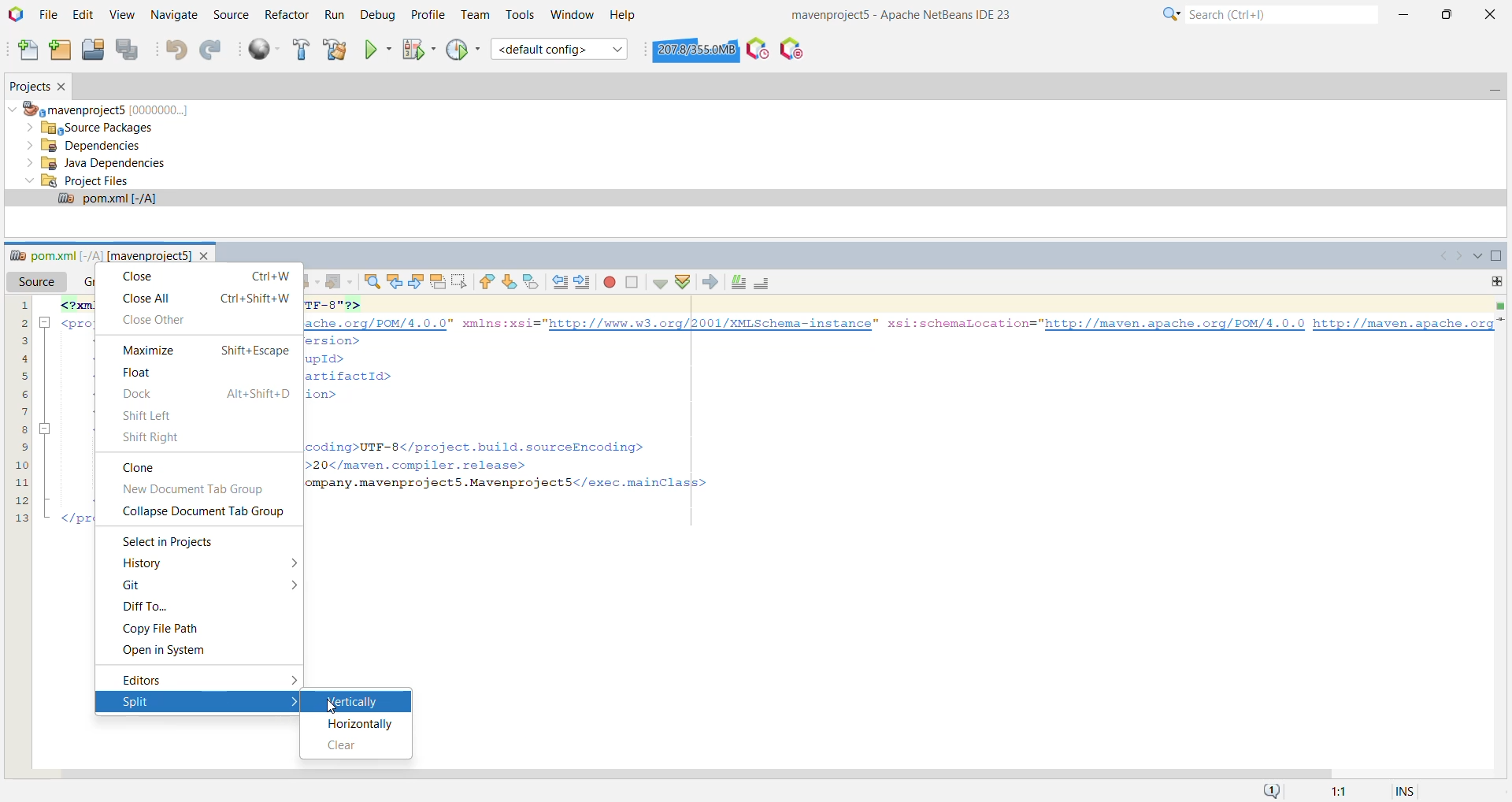 The image size is (1512, 802). Describe the element at coordinates (293, 679) in the screenshot. I see `More options` at that location.